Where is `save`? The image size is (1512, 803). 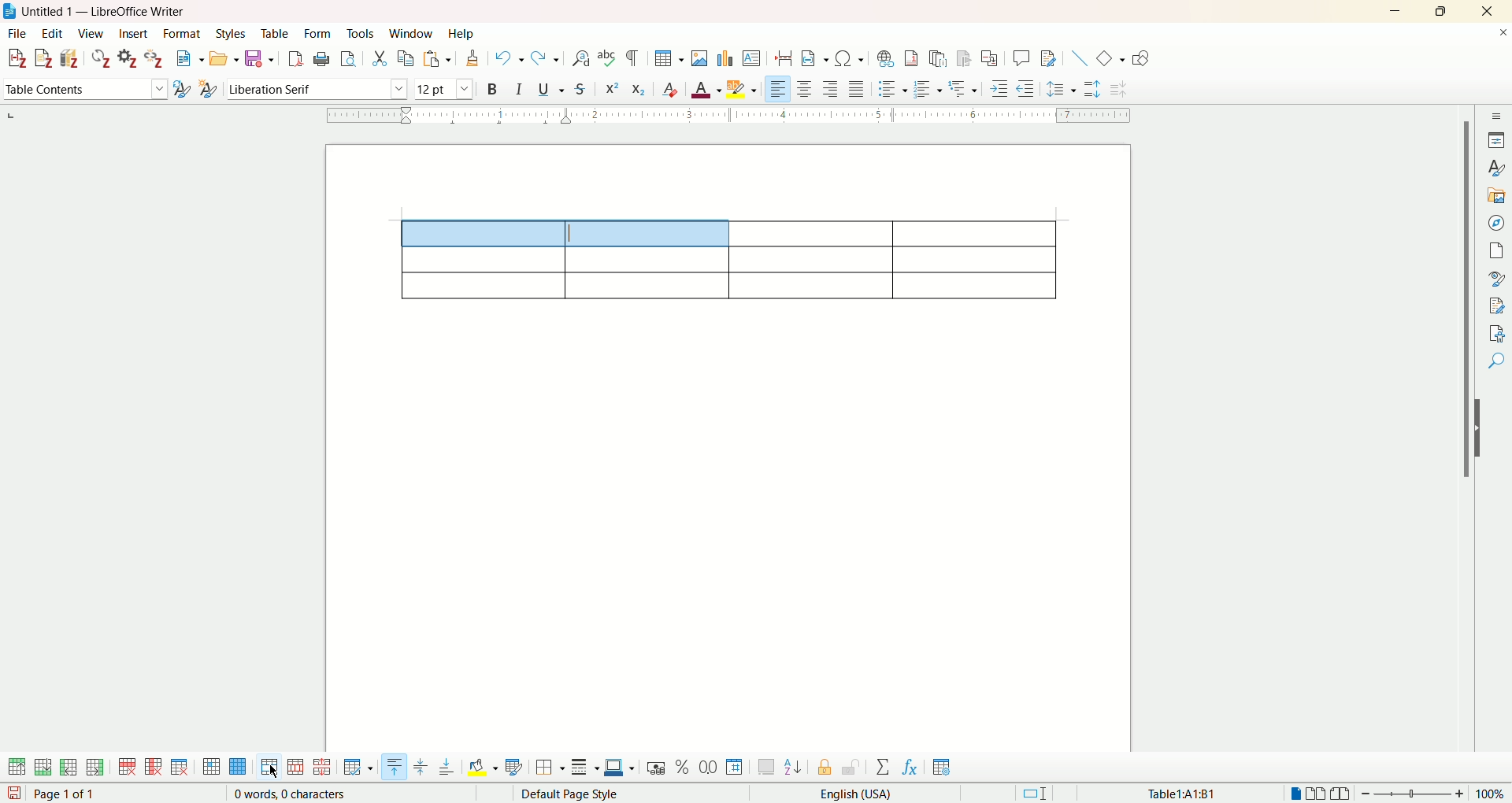
save is located at coordinates (13, 793).